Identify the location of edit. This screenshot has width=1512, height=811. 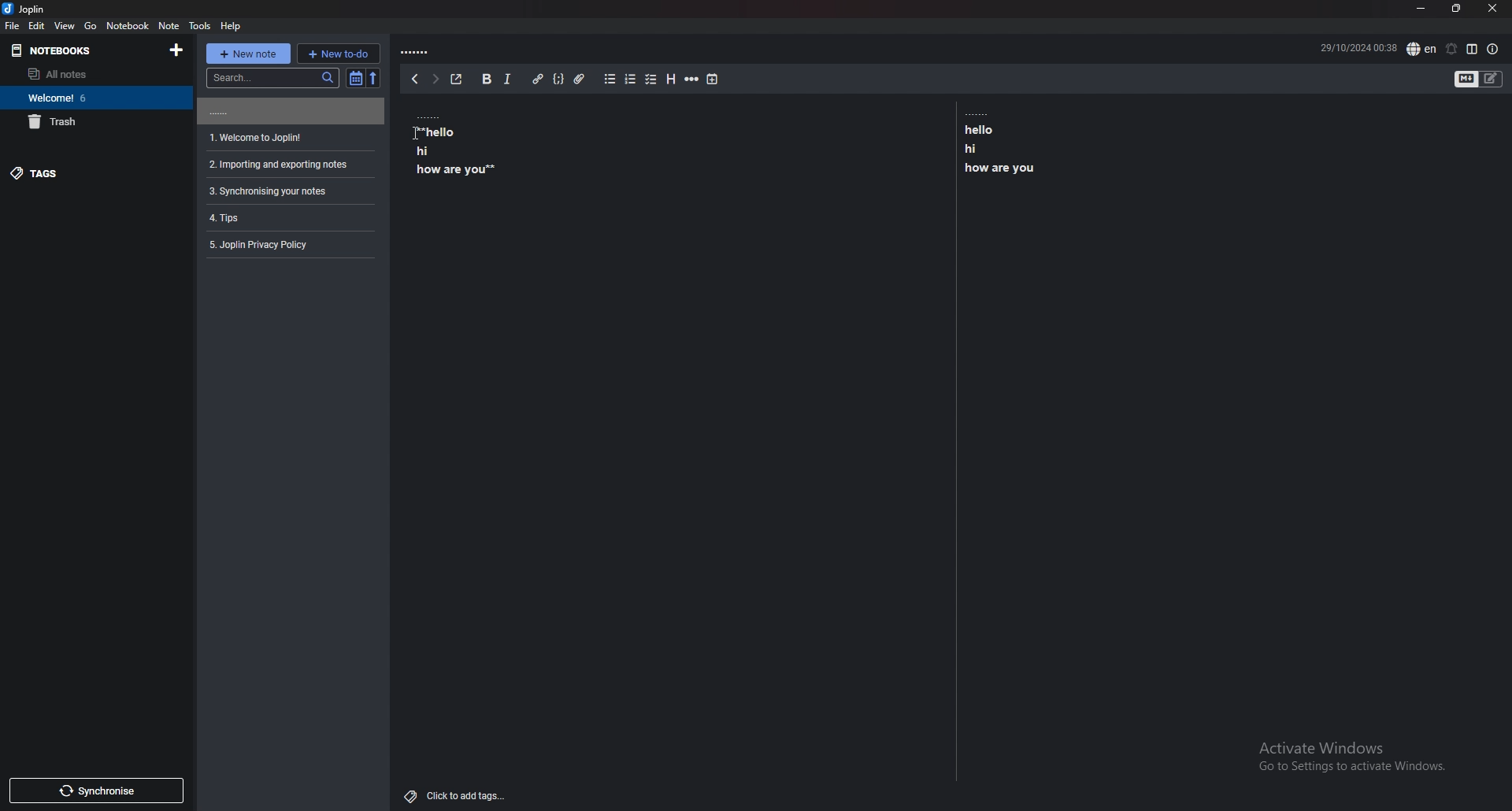
(38, 25).